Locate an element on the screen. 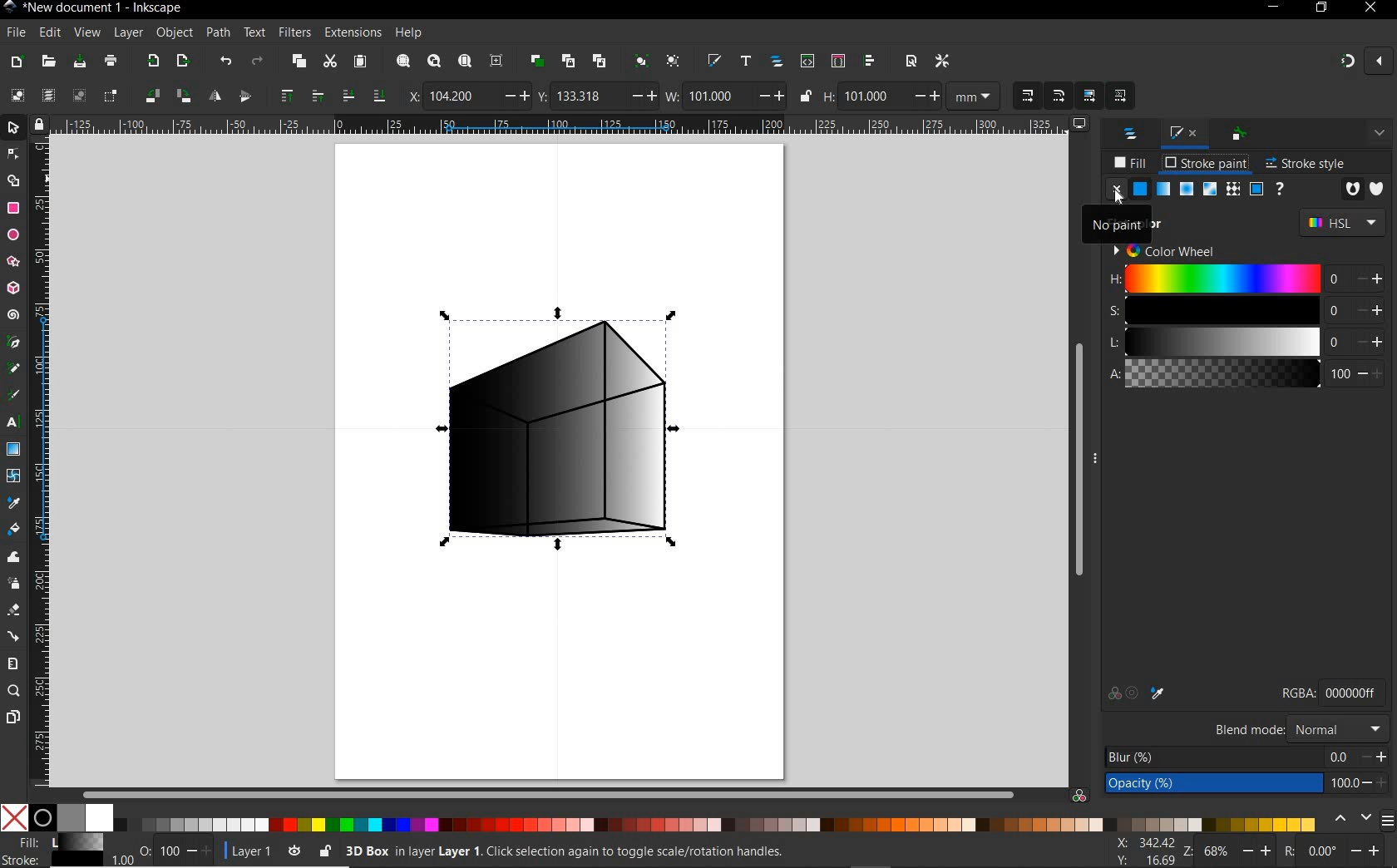 The width and height of the screenshot is (1397, 868). CONNECTOR TOOL is located at coordinates (15, 635).